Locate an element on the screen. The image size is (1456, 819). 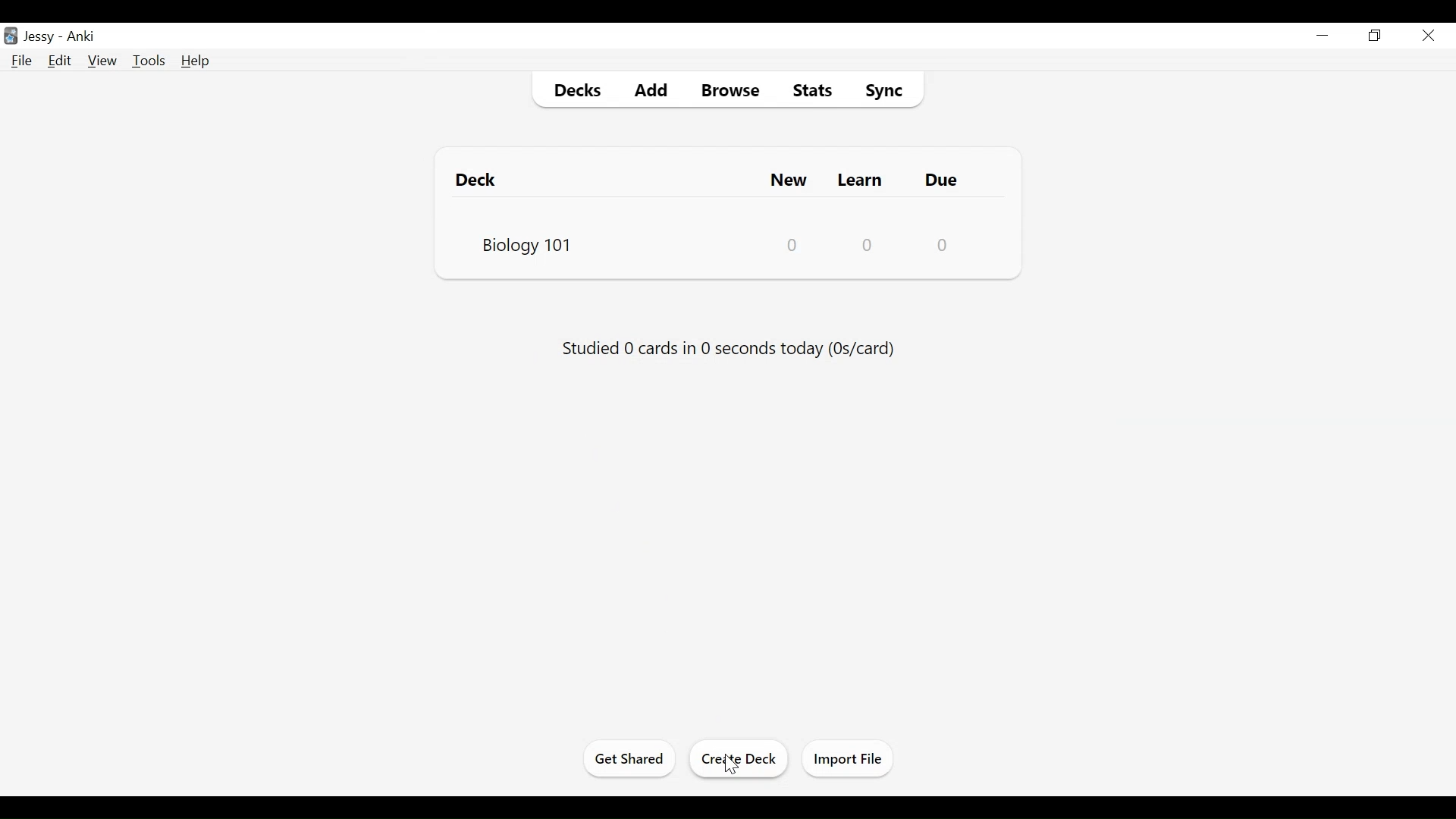
Sync is located at coordinates (886, 88).